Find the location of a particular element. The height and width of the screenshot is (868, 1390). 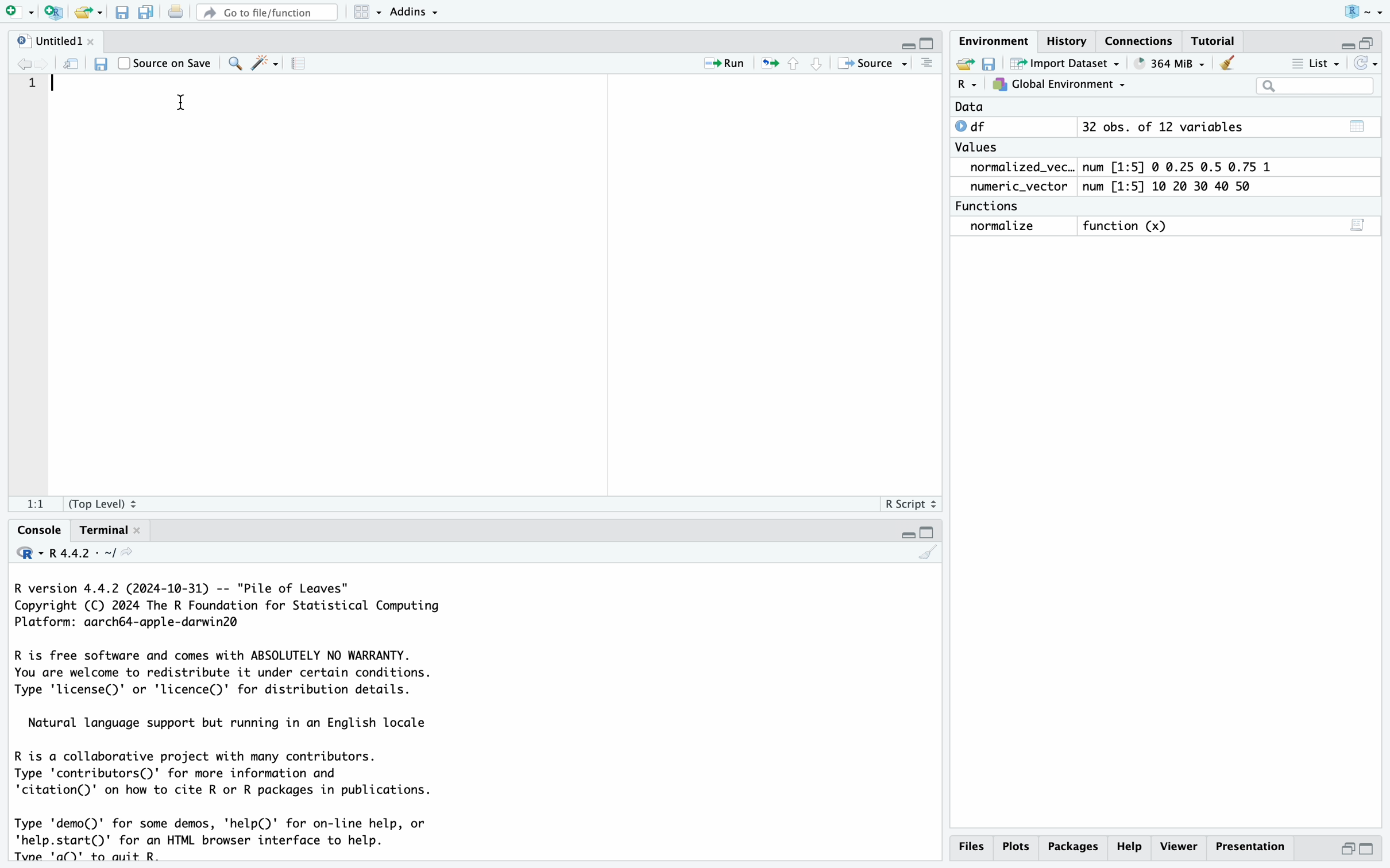

Back is located at coordinates (24, 63).